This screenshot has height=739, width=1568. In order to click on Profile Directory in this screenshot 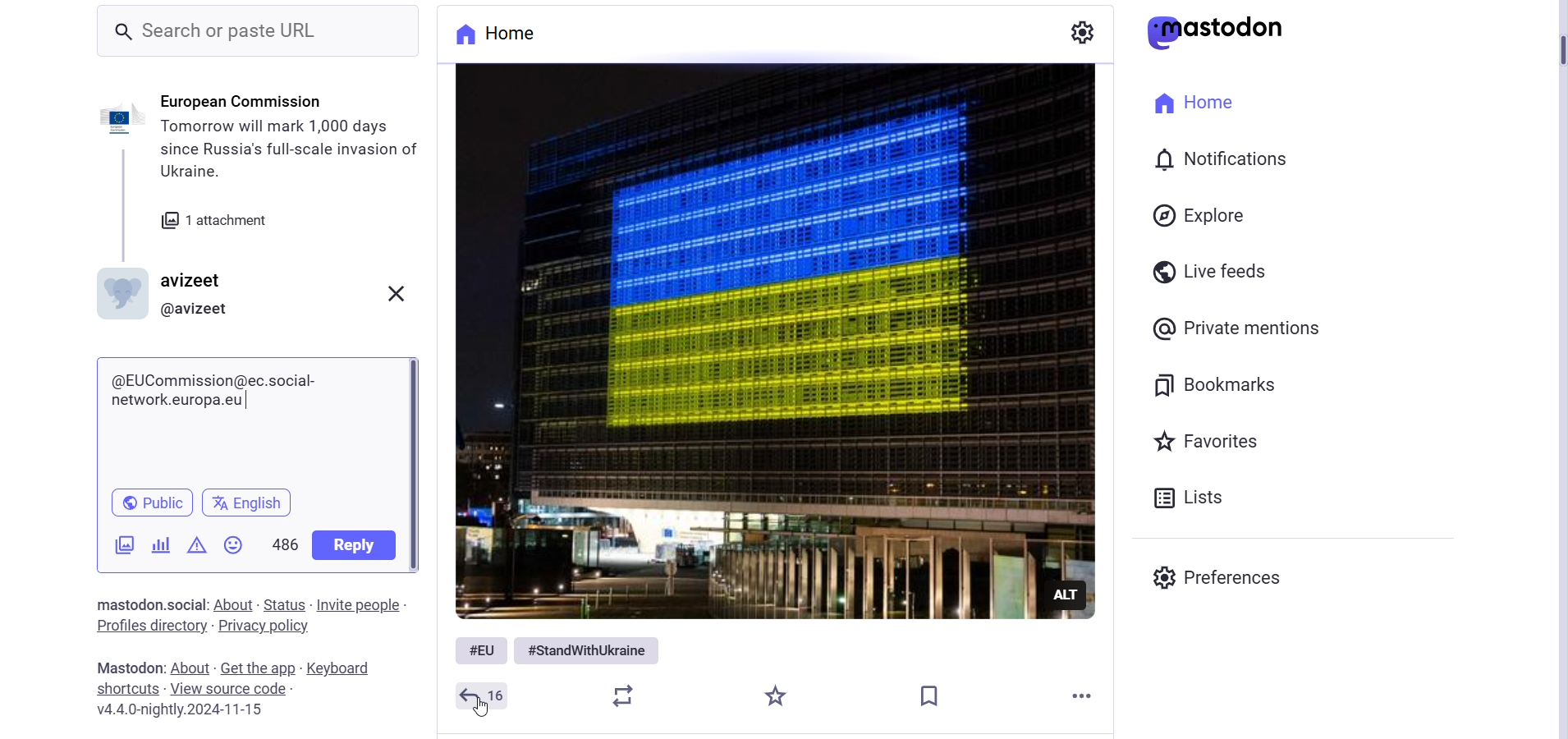, I will do `click(155, 627)`.